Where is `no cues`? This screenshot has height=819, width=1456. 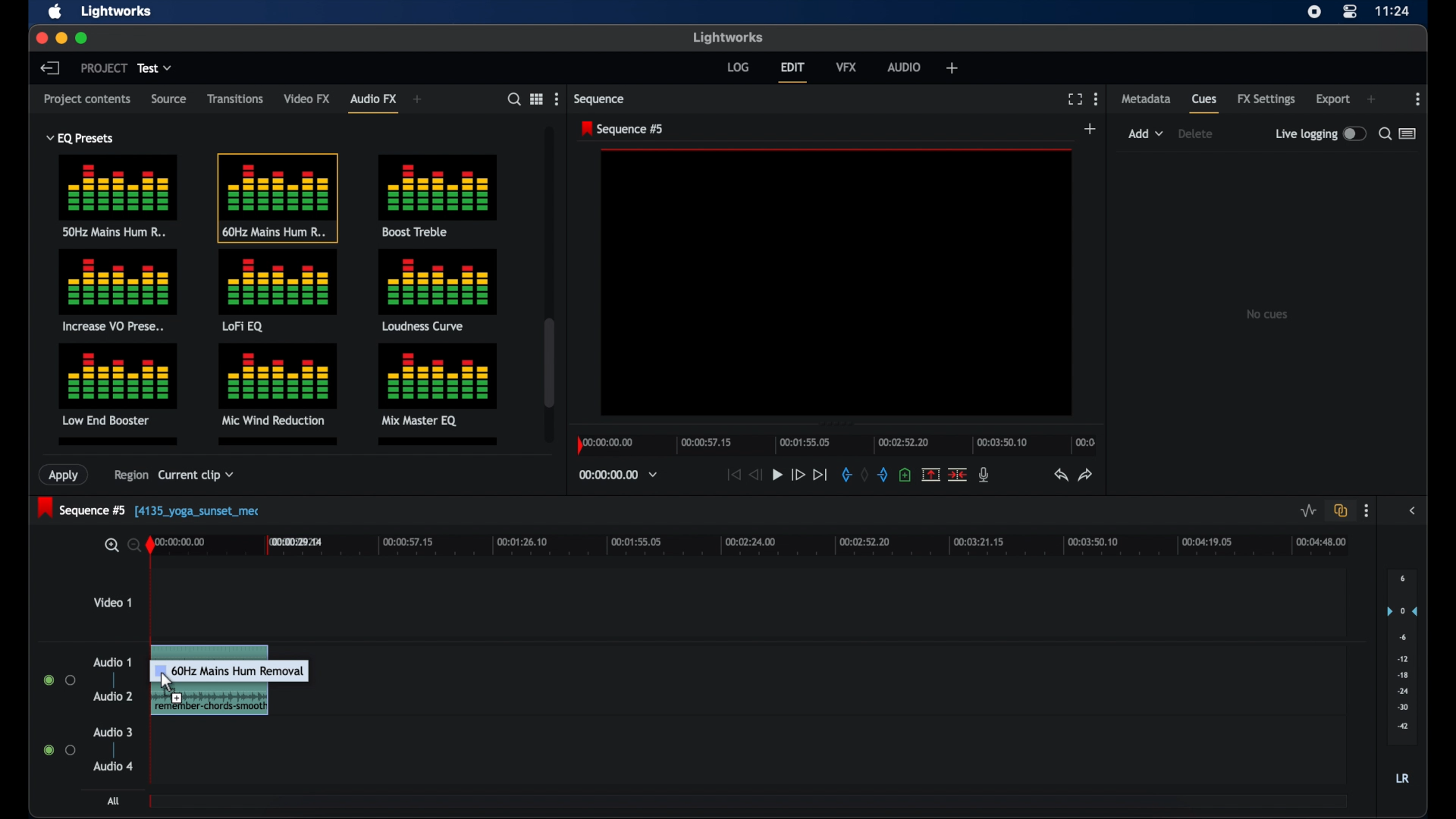
no cues is located at coordinates (1266, 314).